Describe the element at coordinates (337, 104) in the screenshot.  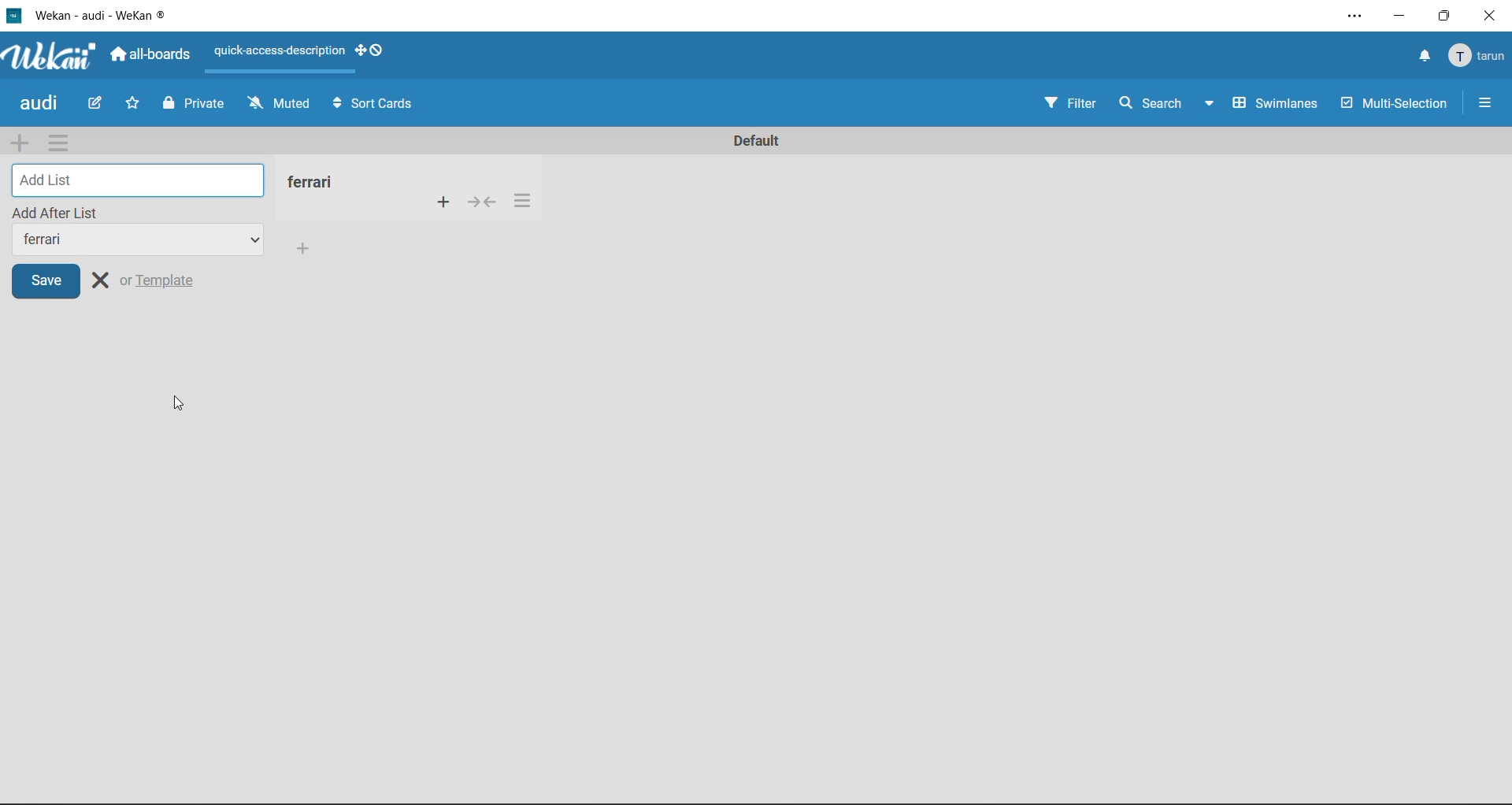
I see `Arrows` at that location.